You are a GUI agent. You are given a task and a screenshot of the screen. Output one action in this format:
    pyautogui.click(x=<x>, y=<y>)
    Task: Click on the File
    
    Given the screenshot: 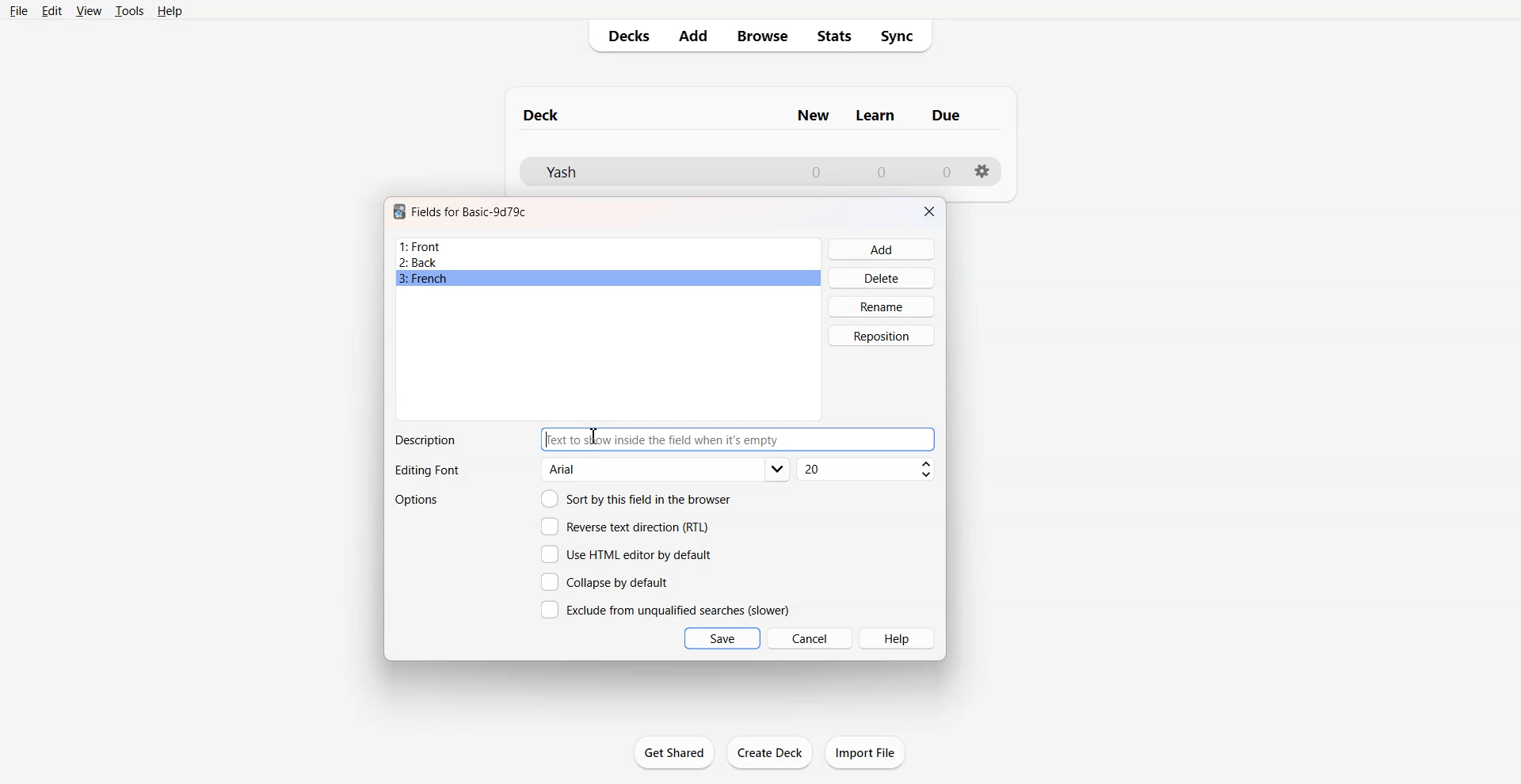 What is the action you would take?
    pyautogui.click(x=17, y=10)
    